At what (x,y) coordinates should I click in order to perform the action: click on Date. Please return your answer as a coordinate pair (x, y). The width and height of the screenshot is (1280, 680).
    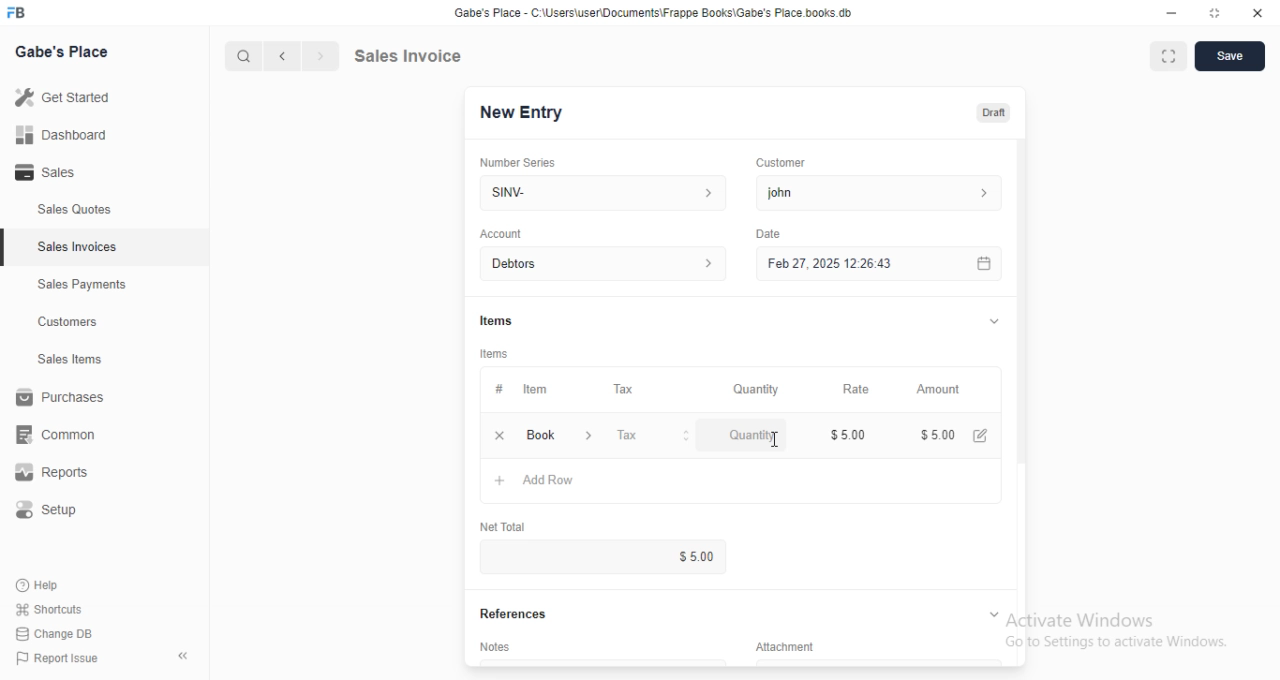
    Looking at the image, I should click on (770, 232).